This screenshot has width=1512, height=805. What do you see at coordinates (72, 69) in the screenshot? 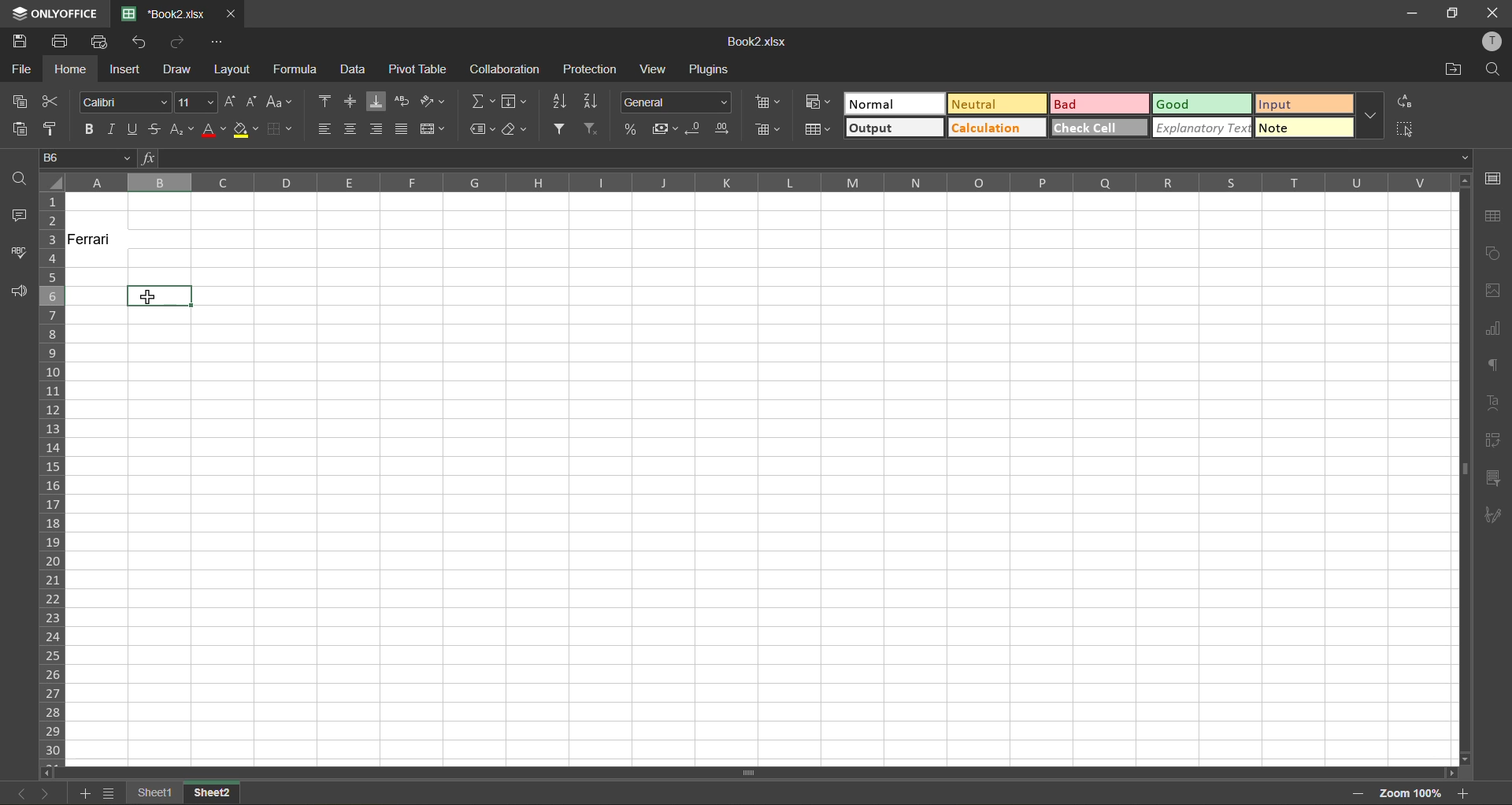
I see `home` at bounding box center [72, 69].